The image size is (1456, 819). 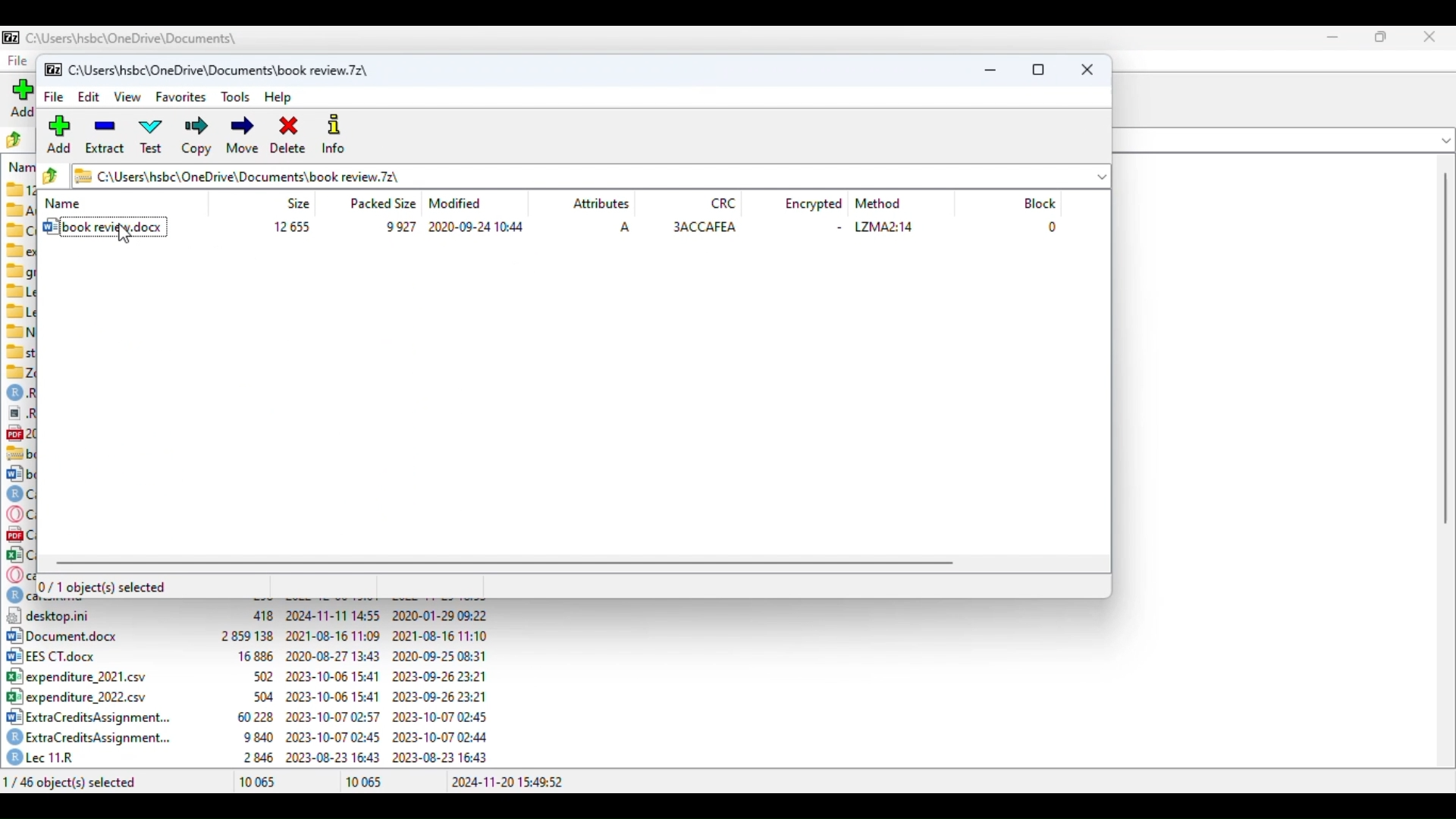 What do you see at coordinates (591, 175) in the screenshot?
I see `current folder` at bounding box center [591, 175].